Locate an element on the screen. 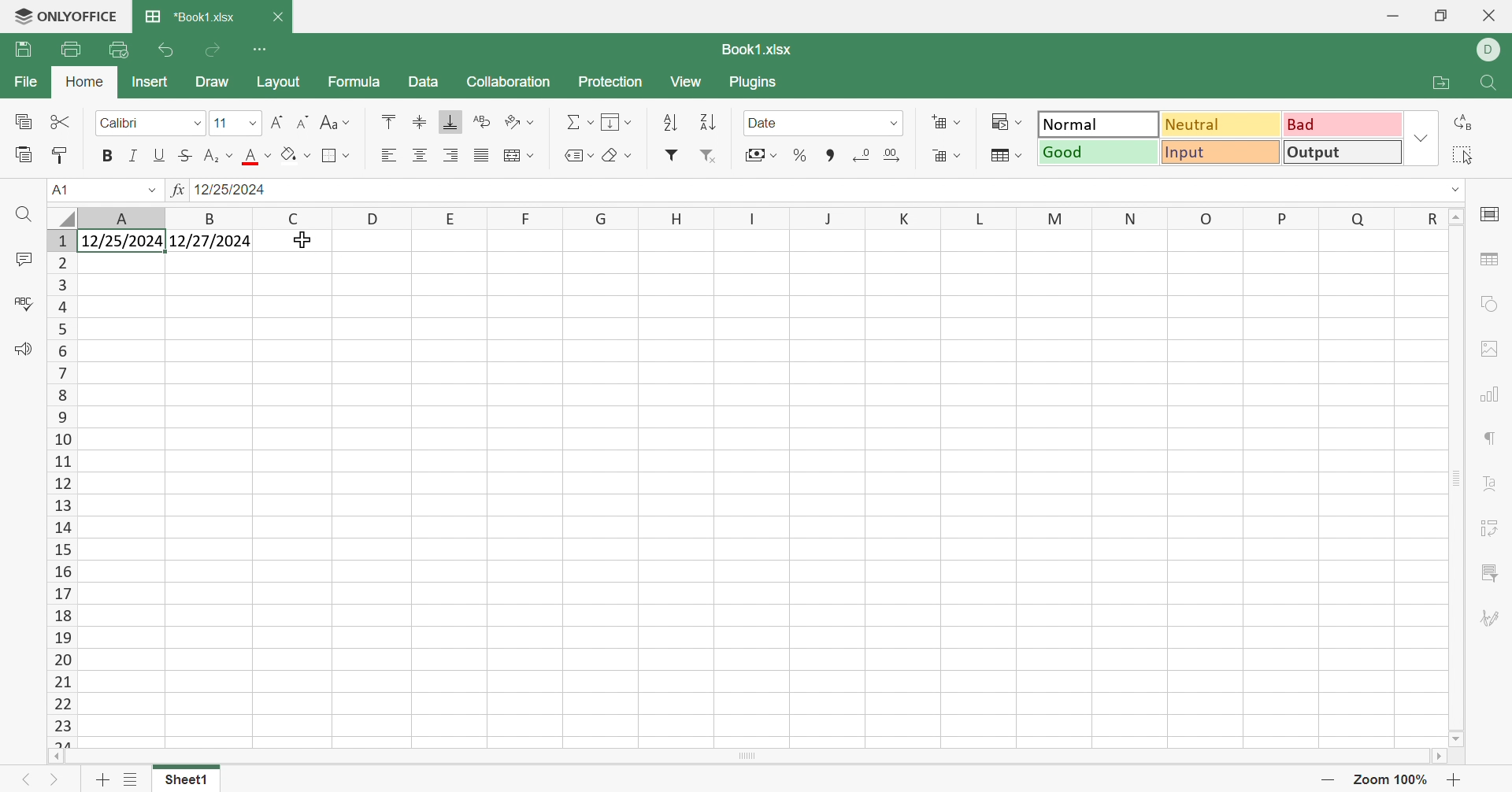  Chart settings is located at coordinates (1490, 393).